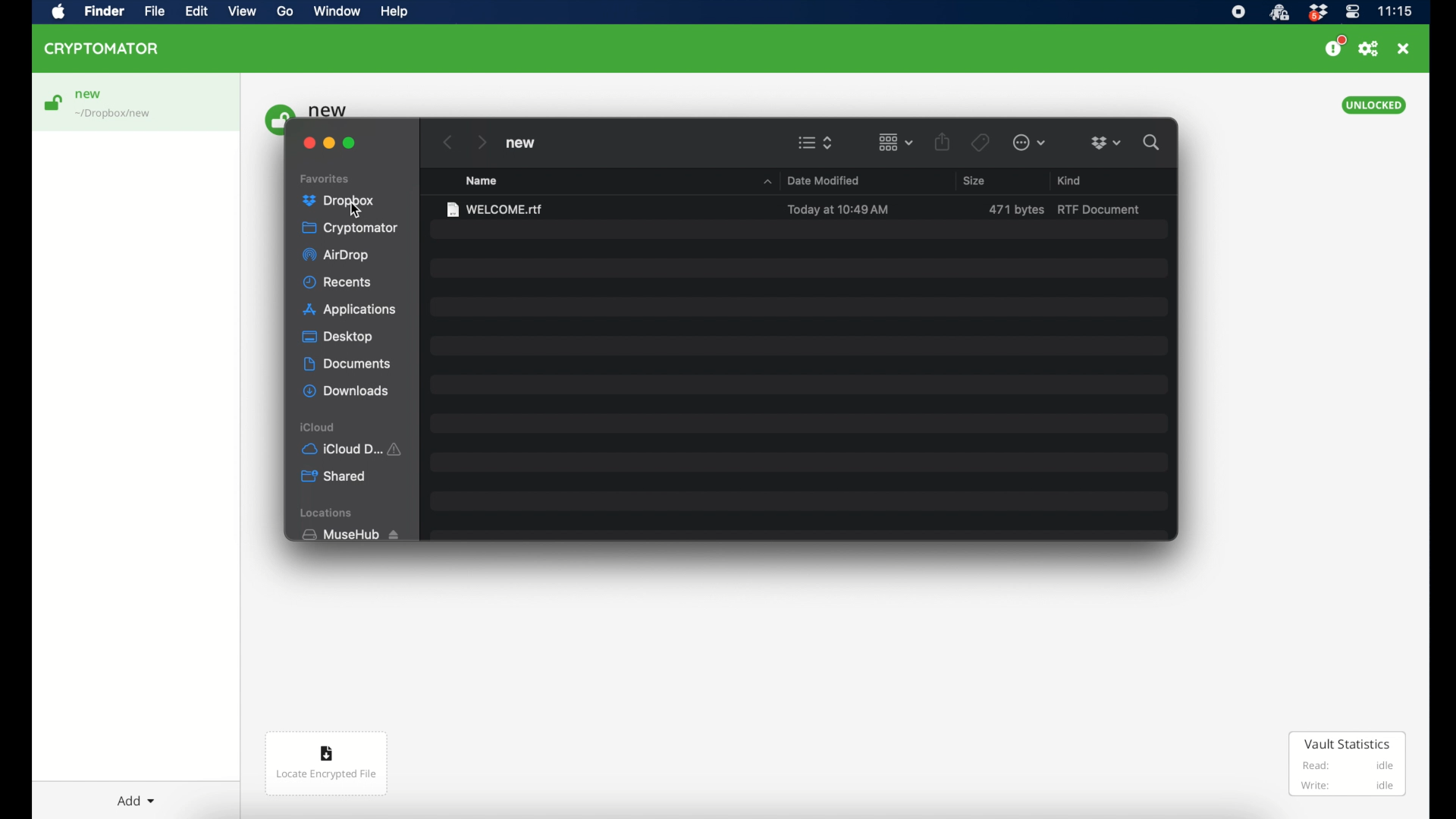 Image resolution: width=1456 pixels, height=819 pixels. Describe the element at coordinates (1016, 210) in the screenshot. I see `size` at that location.